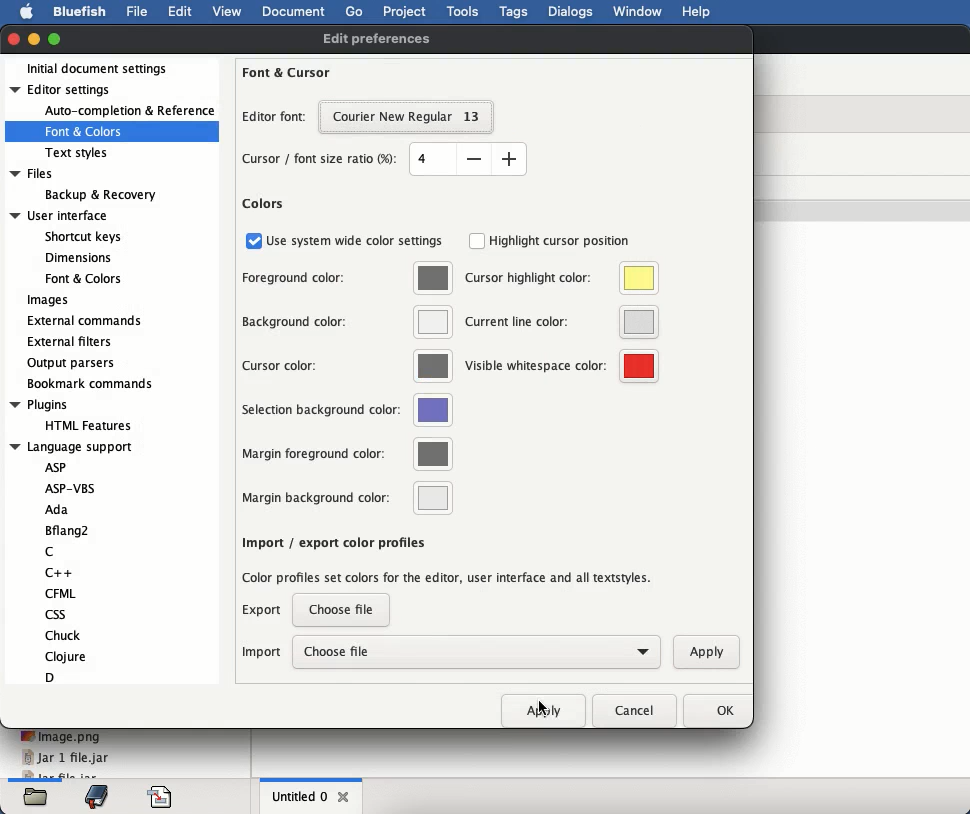 The height and width of the screenshot is (814, 970). What do you see at coordinates (632, 710) in the screenshot?
I see `cancel` at bounding box center [632, 710].